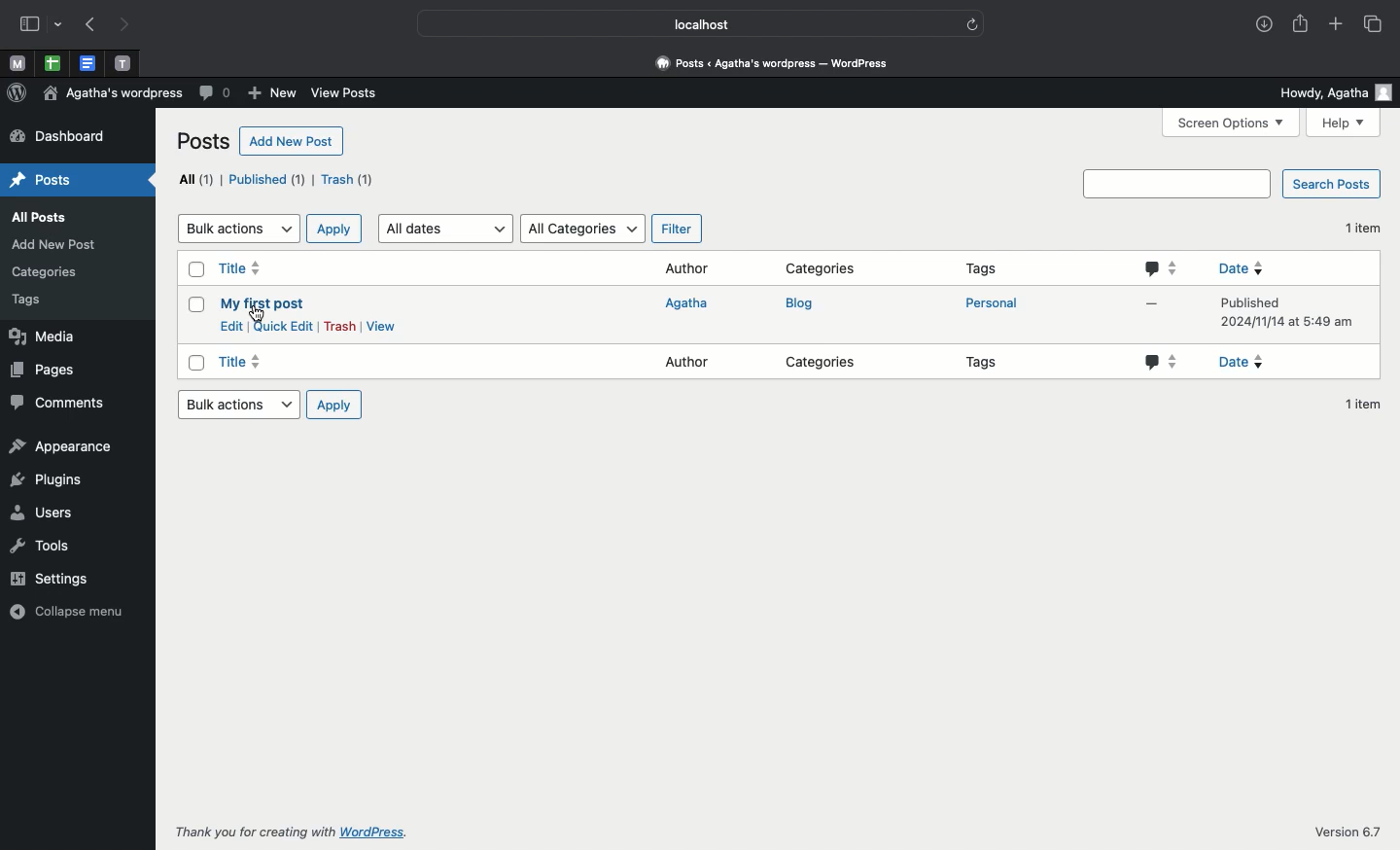 This screenshot has height=850, width=1400. What do you see at coordinates (983, 269) in the screenshot?
I see `Tags` at bounding box center [983, 269].